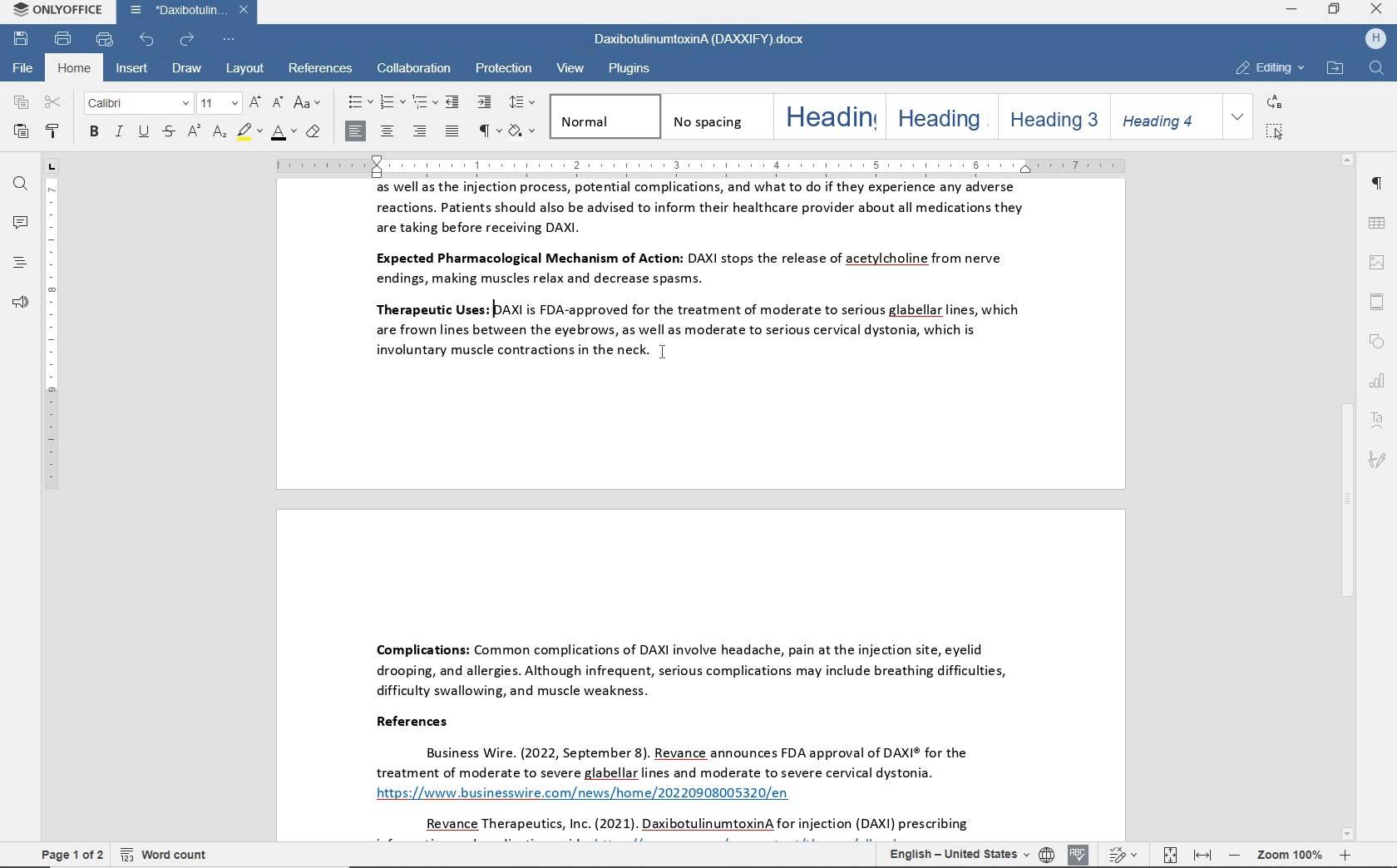 This screenshot has width=1397, height=868. Describe the element at coordinates (422, 103) in the screenshot. I see `multilevel list` at that location.